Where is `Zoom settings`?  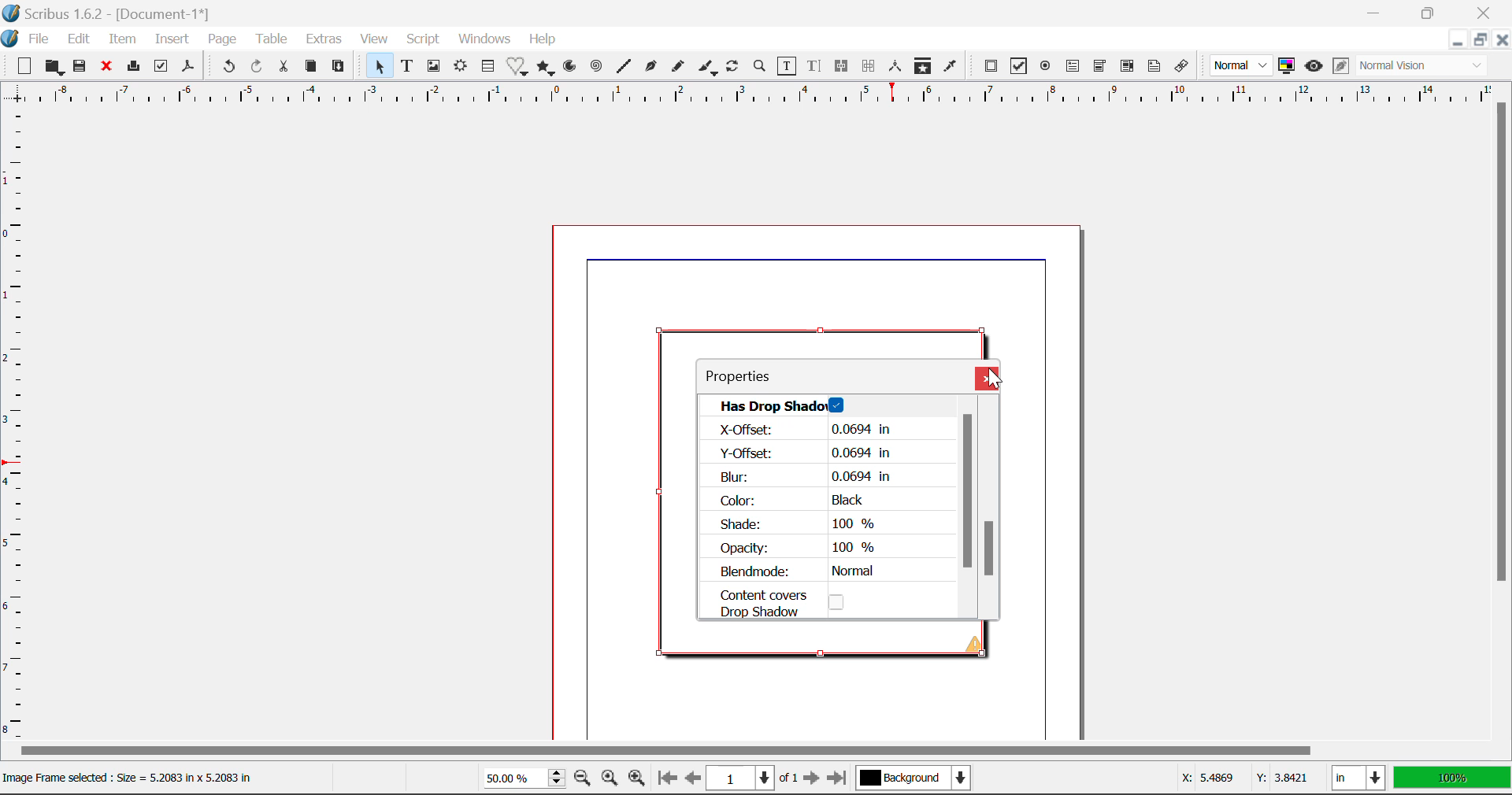
Zoom settings is located at coordinates (609, 778).